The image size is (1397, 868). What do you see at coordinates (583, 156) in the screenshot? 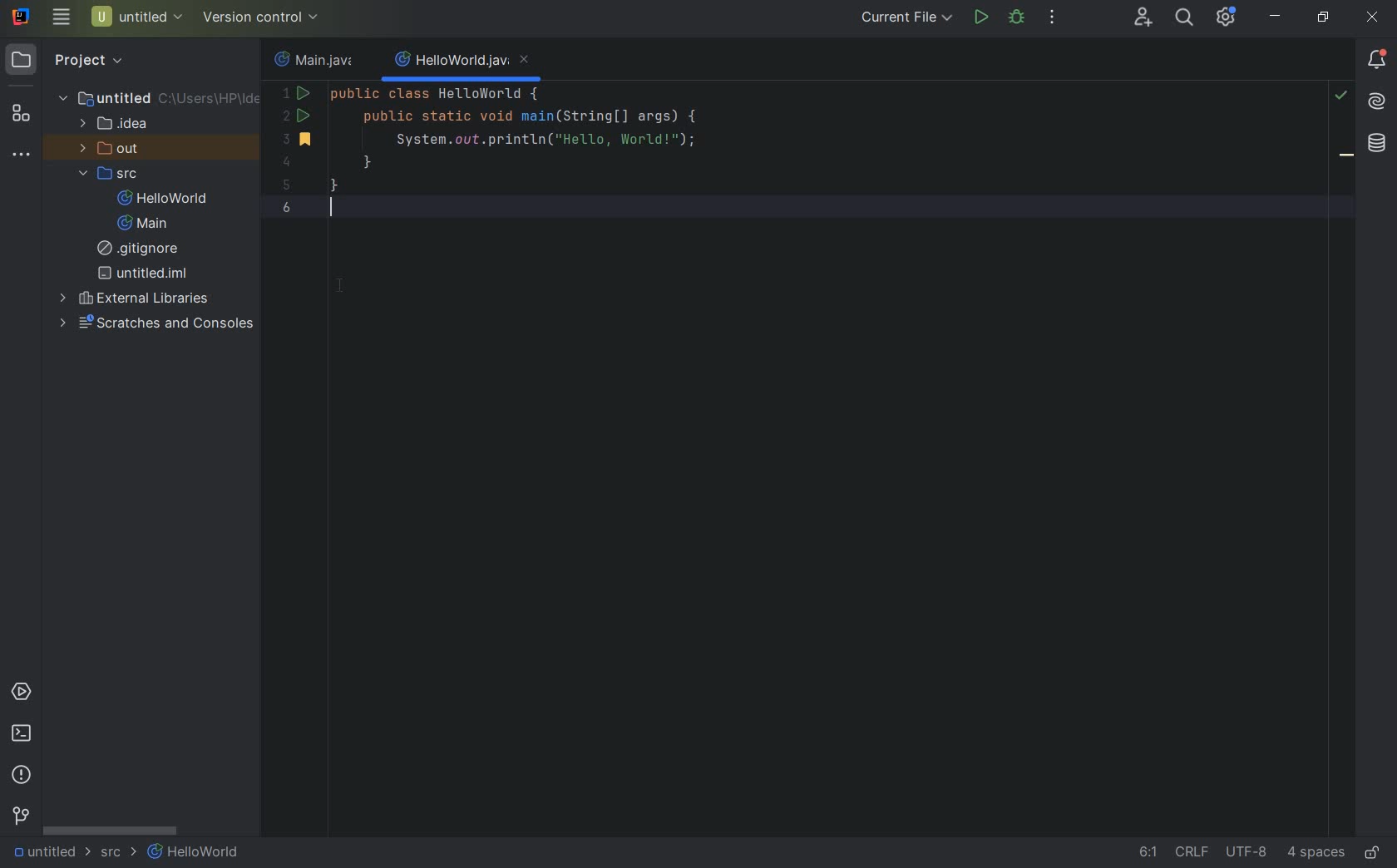
I see `codes` at bounding box center [583, 156].